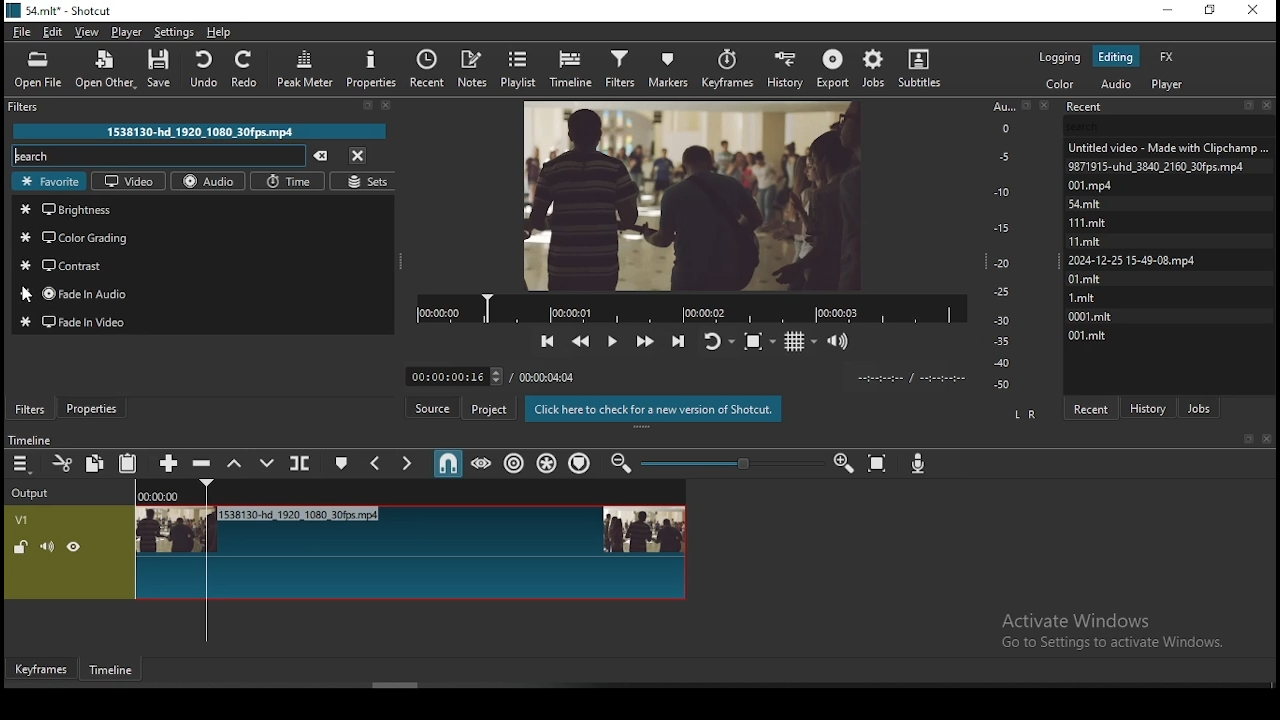 The height and width of the screenshot is (720, 1280). What do you see at coordinates (28, 441) in the screenshot?
I see `timeline` at bounding box center [28, 441].